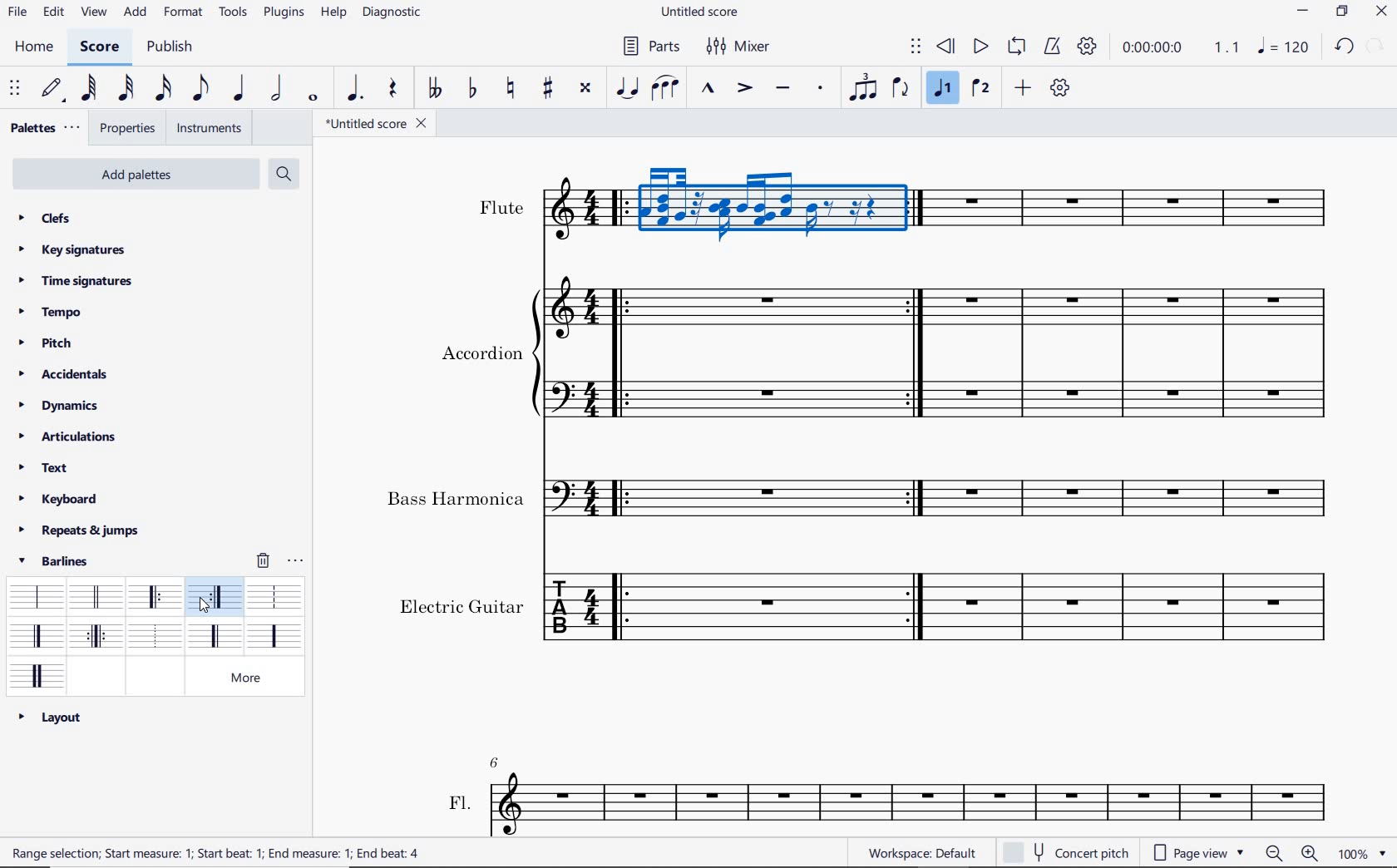 This screenshot has width=1397, height=868. Describe the element at coordinates (97, 638) in the screenshot. I see `heavy barline` at that location.